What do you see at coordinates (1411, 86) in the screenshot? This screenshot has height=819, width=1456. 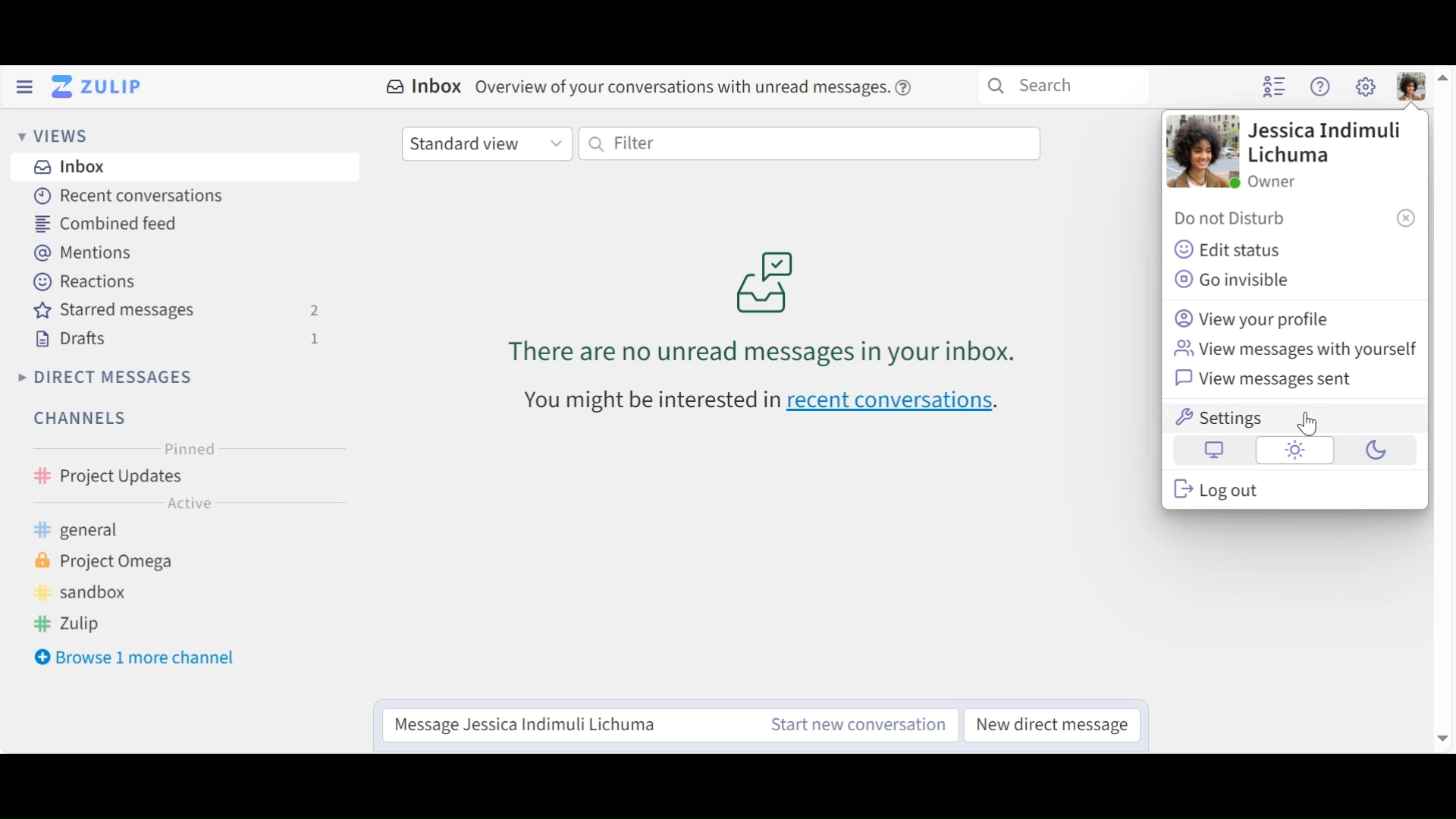 I see `Personal Menu` at bounding box center [1411, 86].